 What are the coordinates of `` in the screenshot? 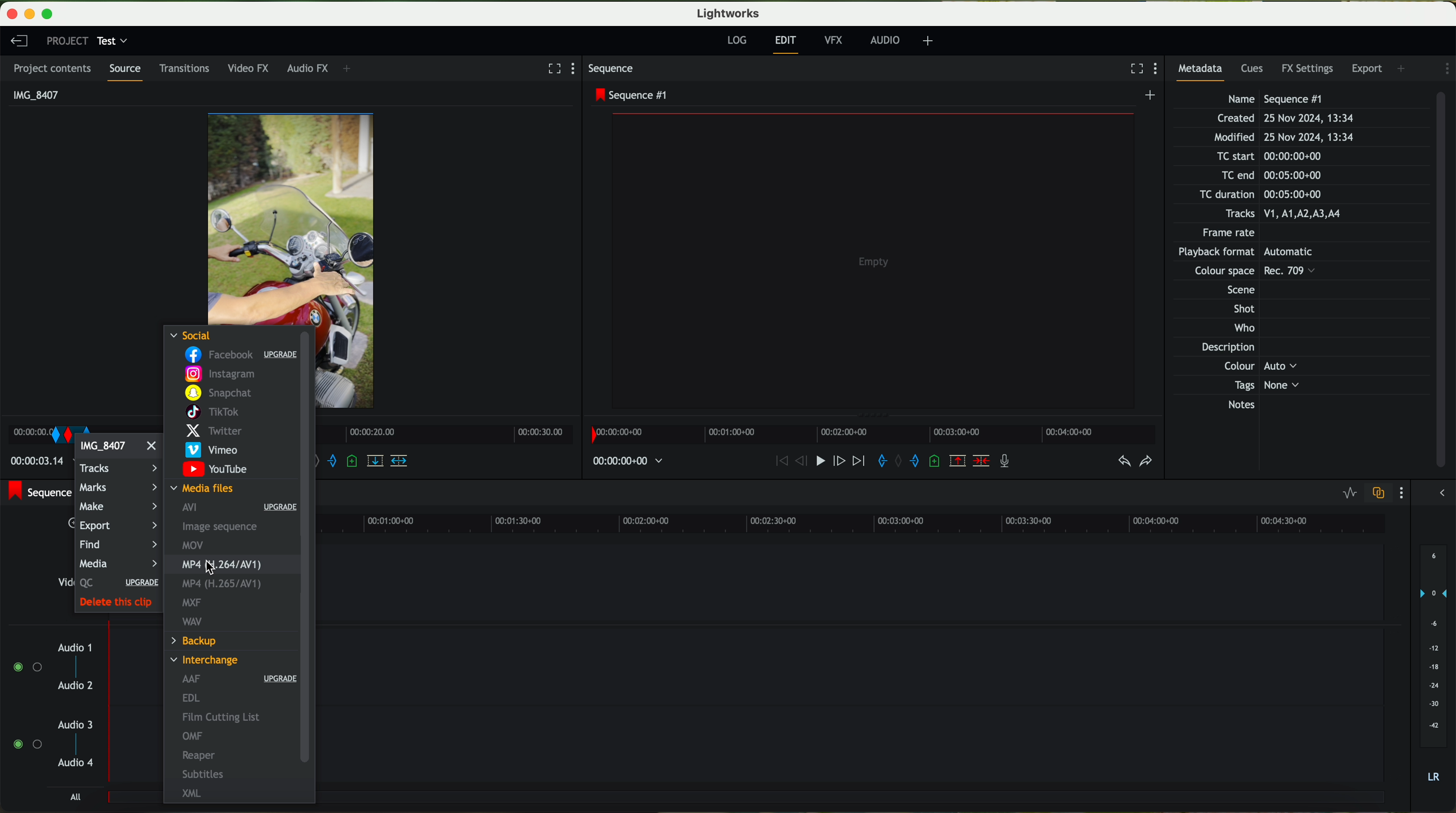 It's located at (1242, 273).